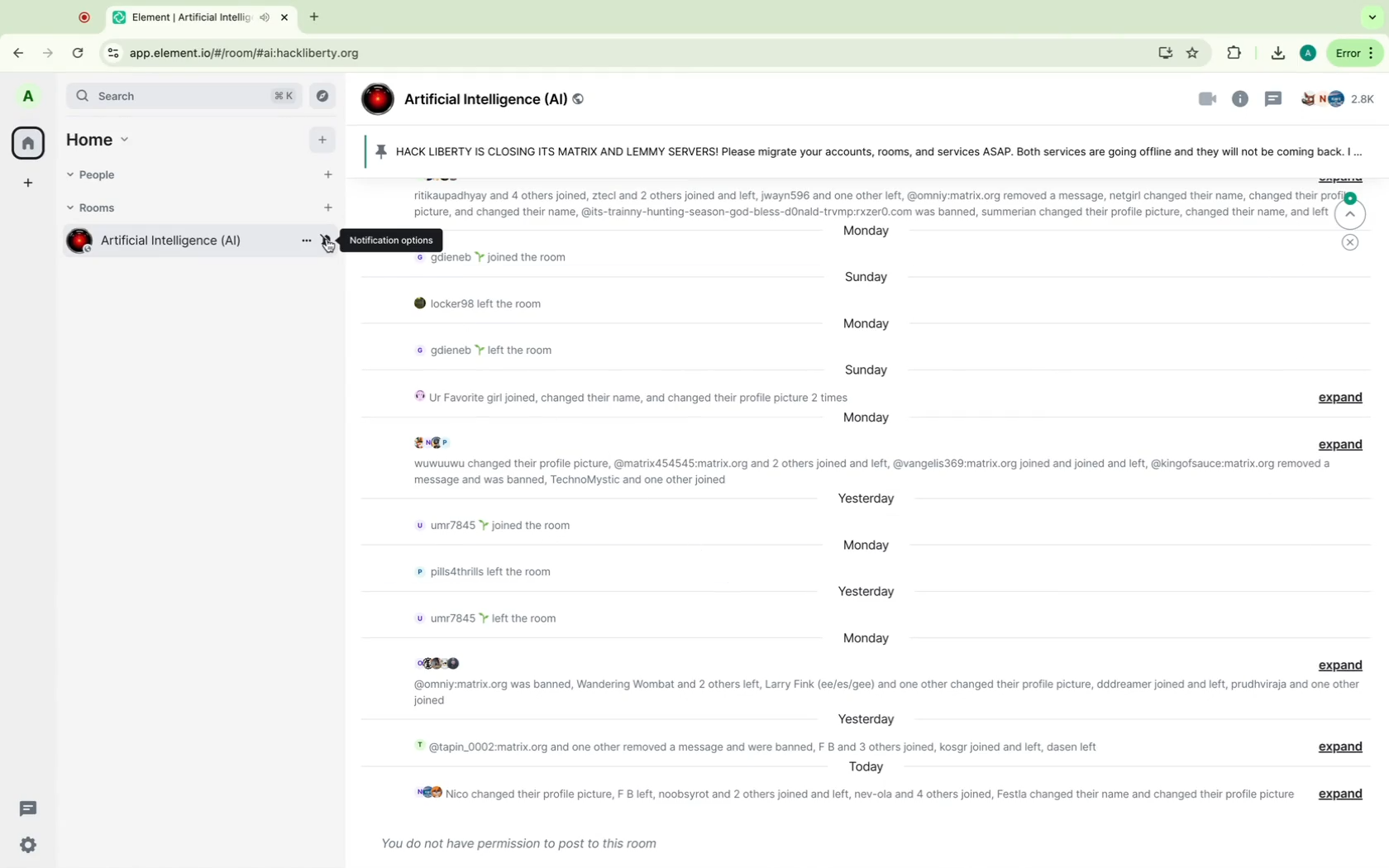 Image resolution: width=1389 pixels, height=868 pixels. What do you see at coordinates (193, 18) in the screenshot?
I see `tab` at bounding box center [193, 18].